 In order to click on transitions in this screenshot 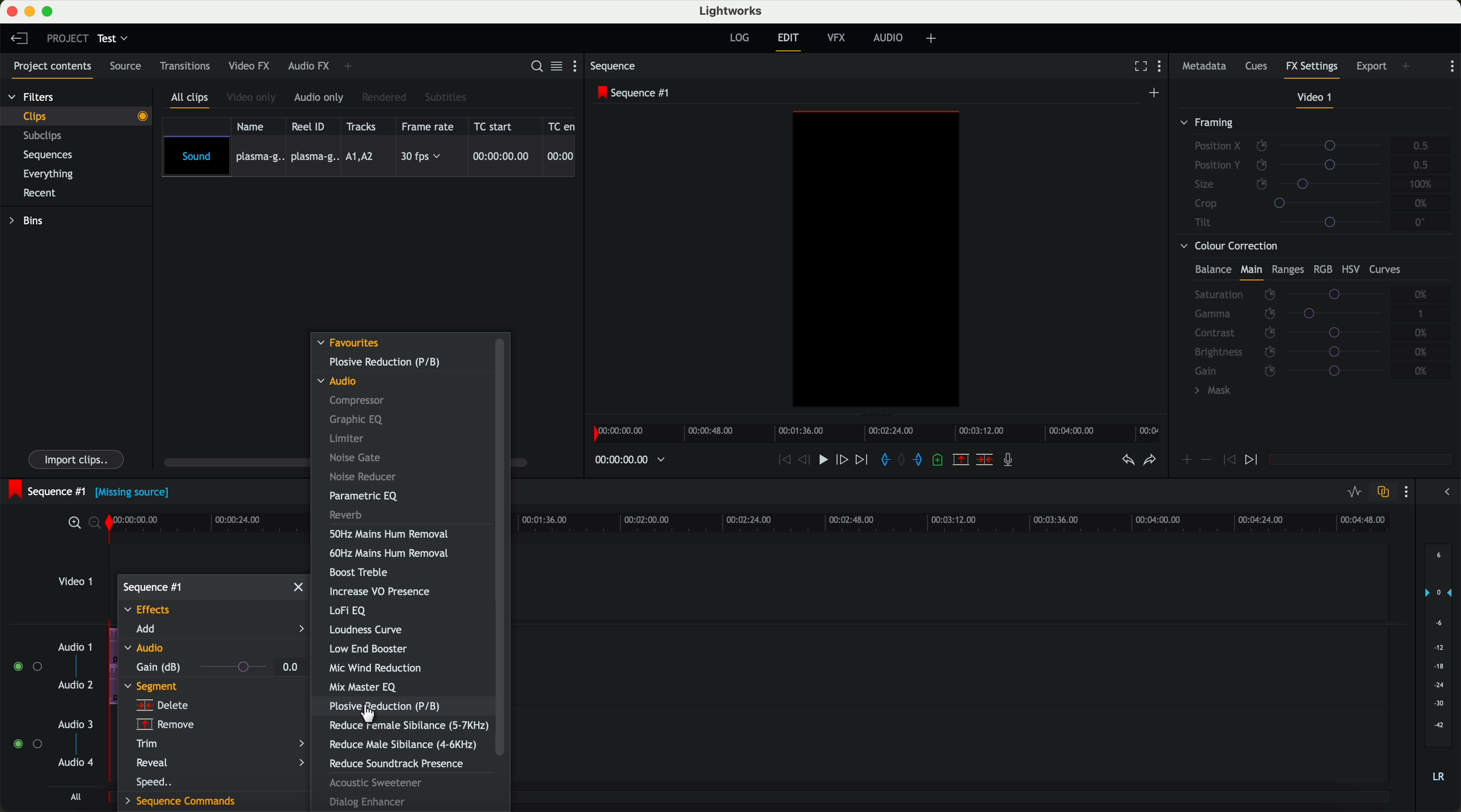, I will do `click(185, 68)`.